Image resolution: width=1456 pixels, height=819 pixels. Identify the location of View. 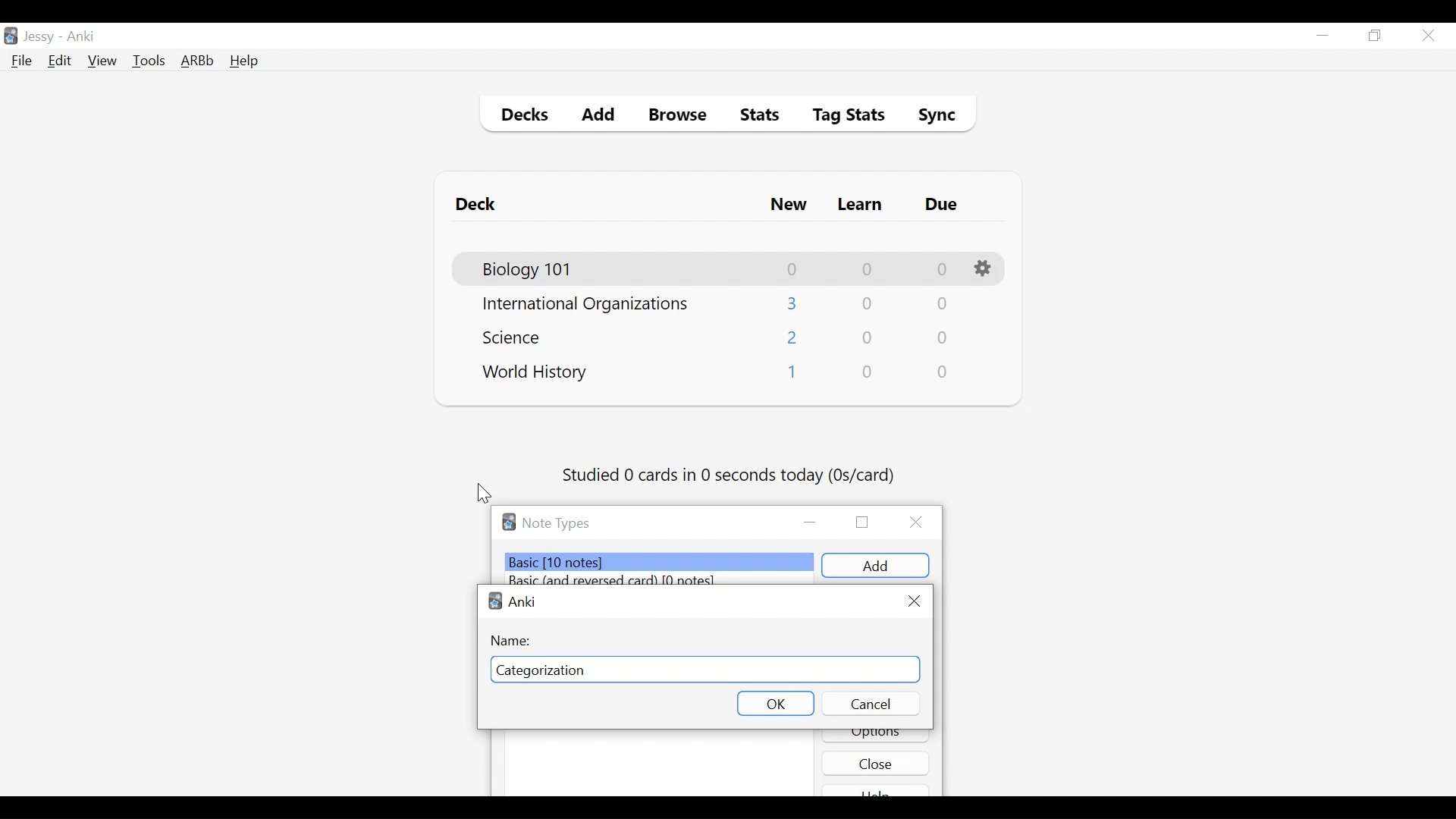
(103, 61).